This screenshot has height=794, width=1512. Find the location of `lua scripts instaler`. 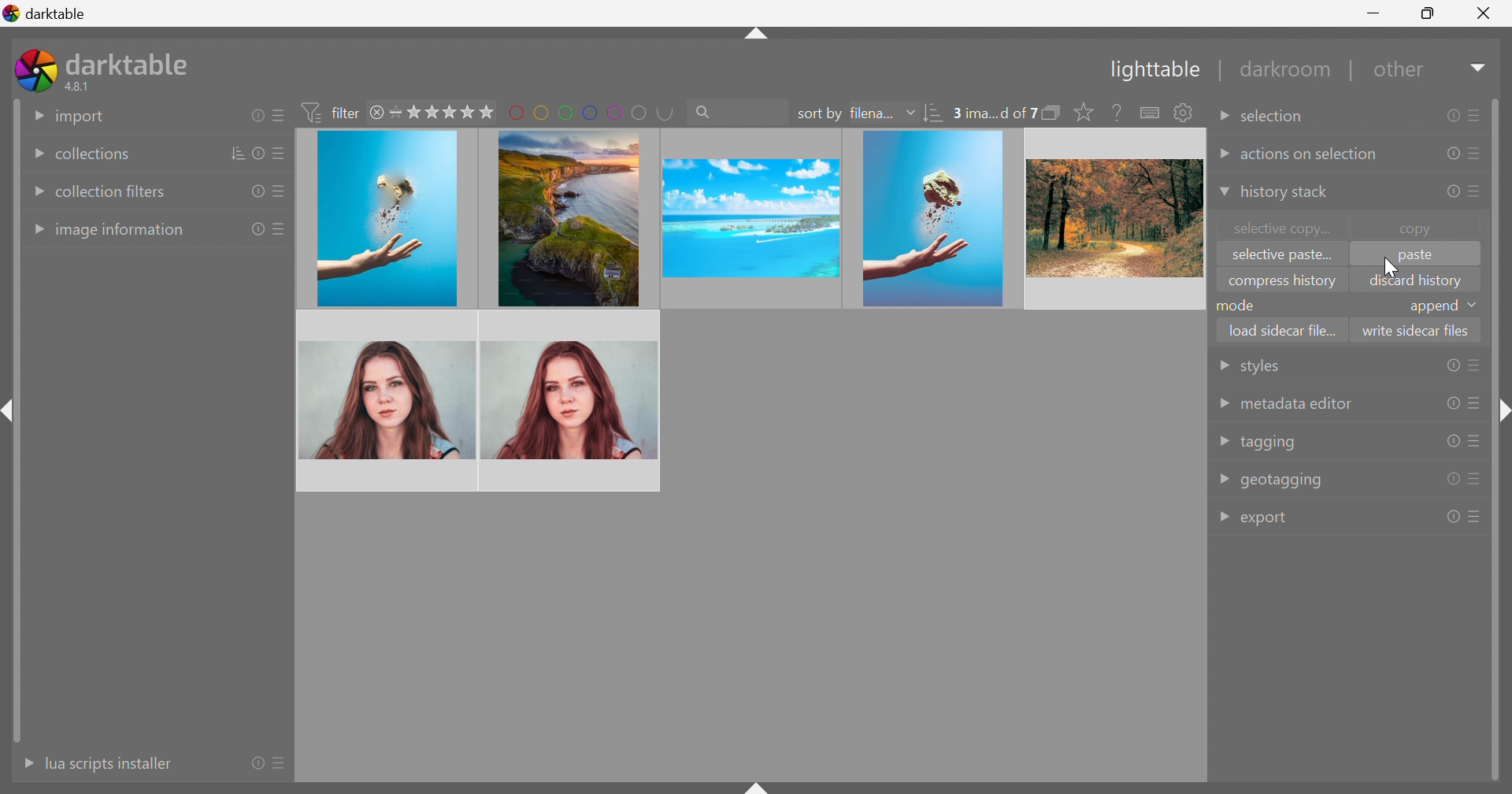

lua scripts instaler is located at coordinates (108, 763).